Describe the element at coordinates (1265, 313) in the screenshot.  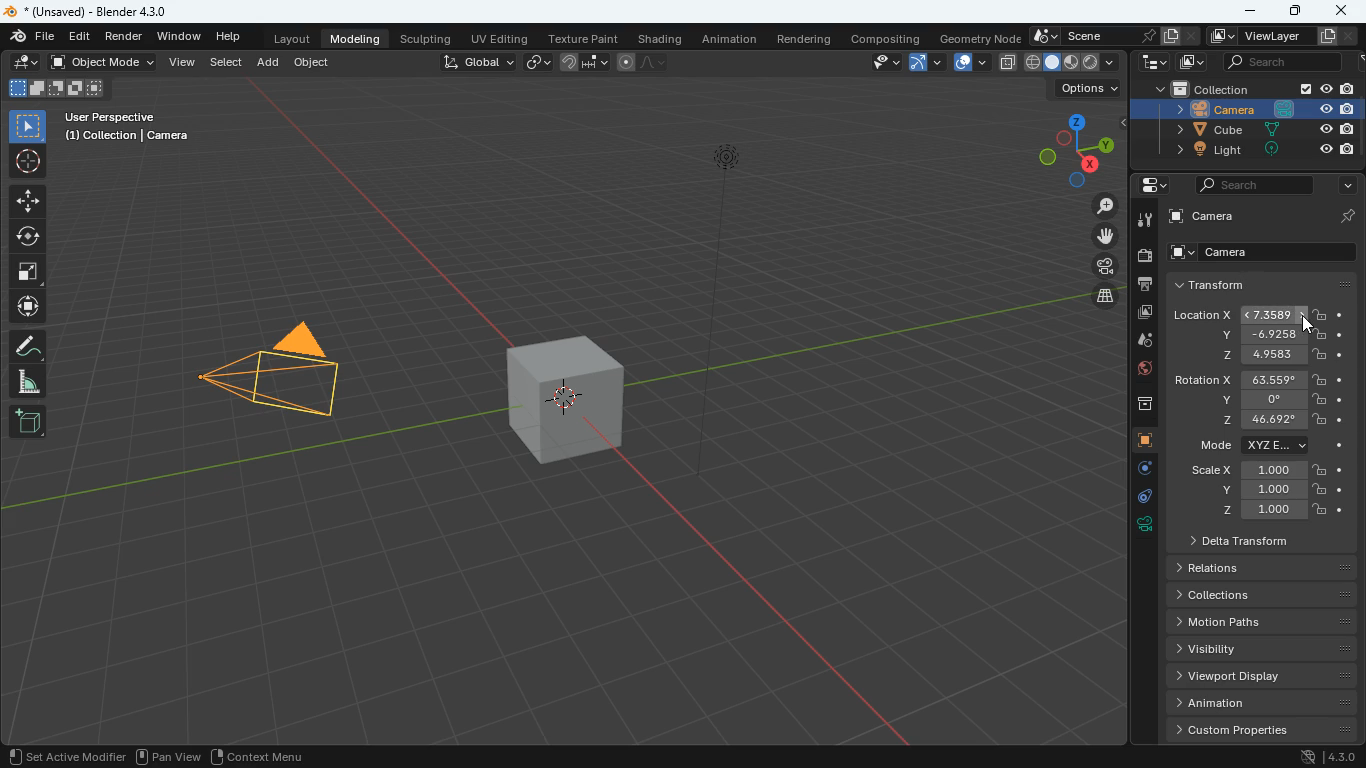
I see `location x` at that location.